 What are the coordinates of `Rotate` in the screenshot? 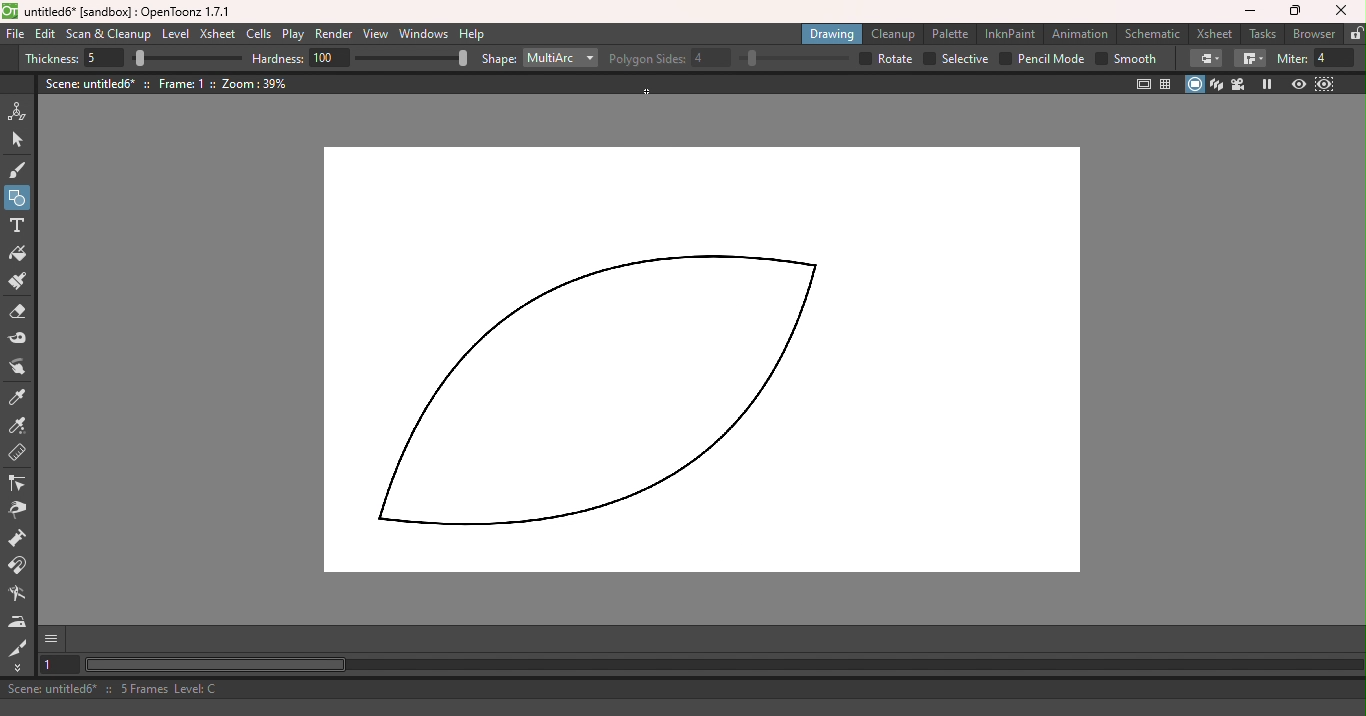 It's located at (886, 59).